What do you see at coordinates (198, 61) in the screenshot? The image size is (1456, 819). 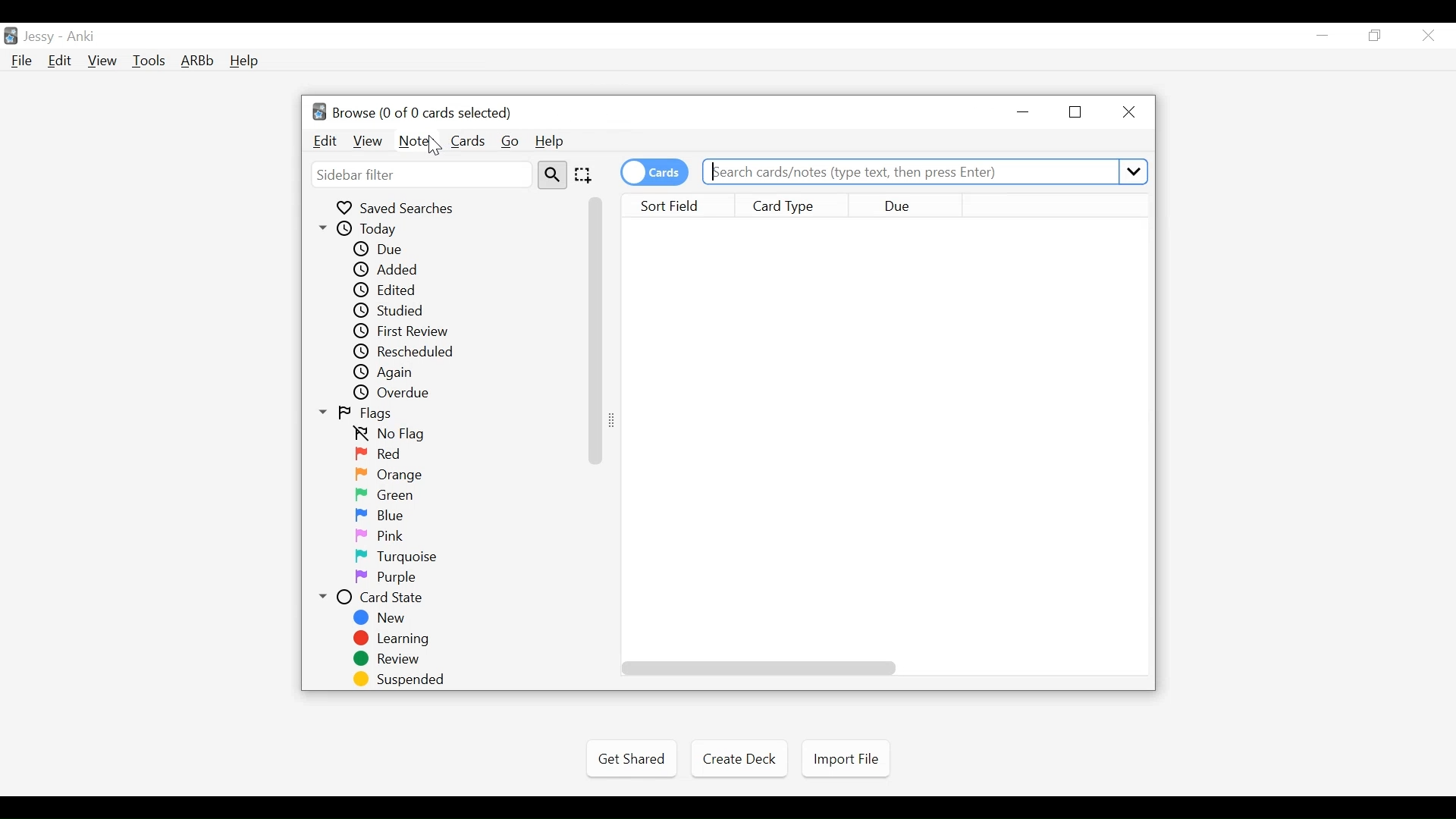 I see `Advanced Review Button bar` at bounding box center [198, 61].